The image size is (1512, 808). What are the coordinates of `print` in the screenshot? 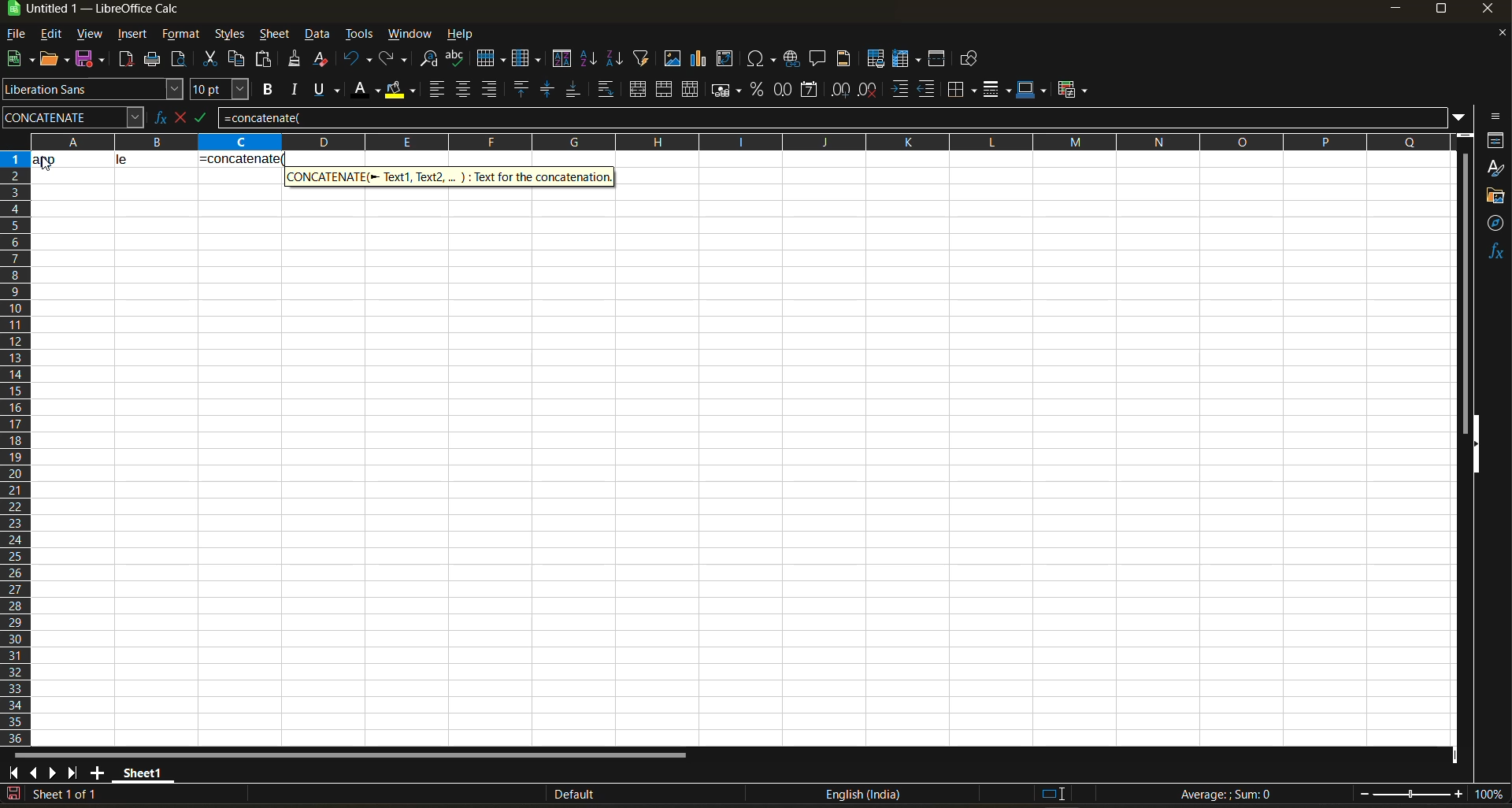 It's located at (152, 60).